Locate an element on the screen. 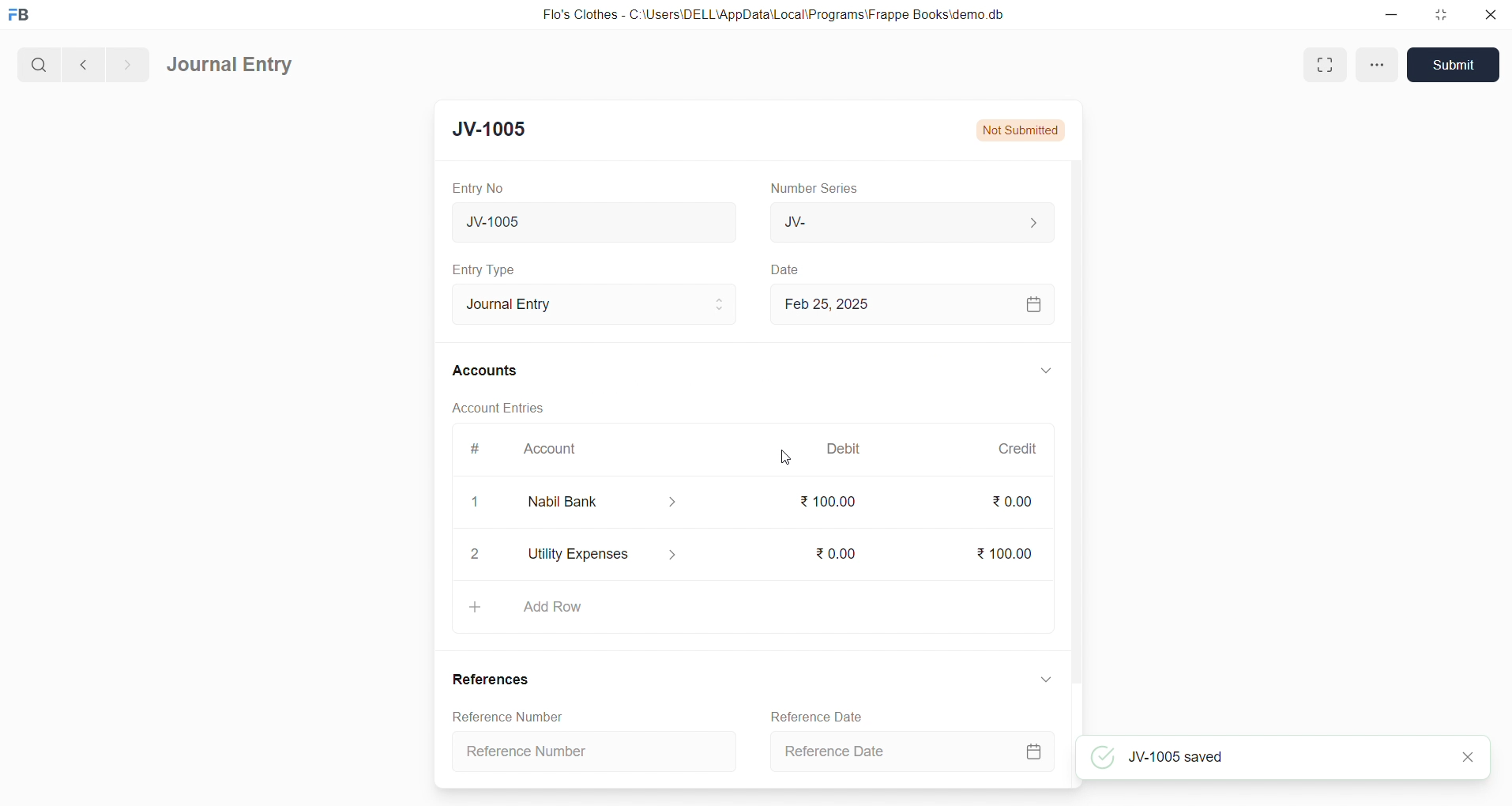 This screenshot has height=806, width=1512. navigate forward is located at coordinates (127, 62).